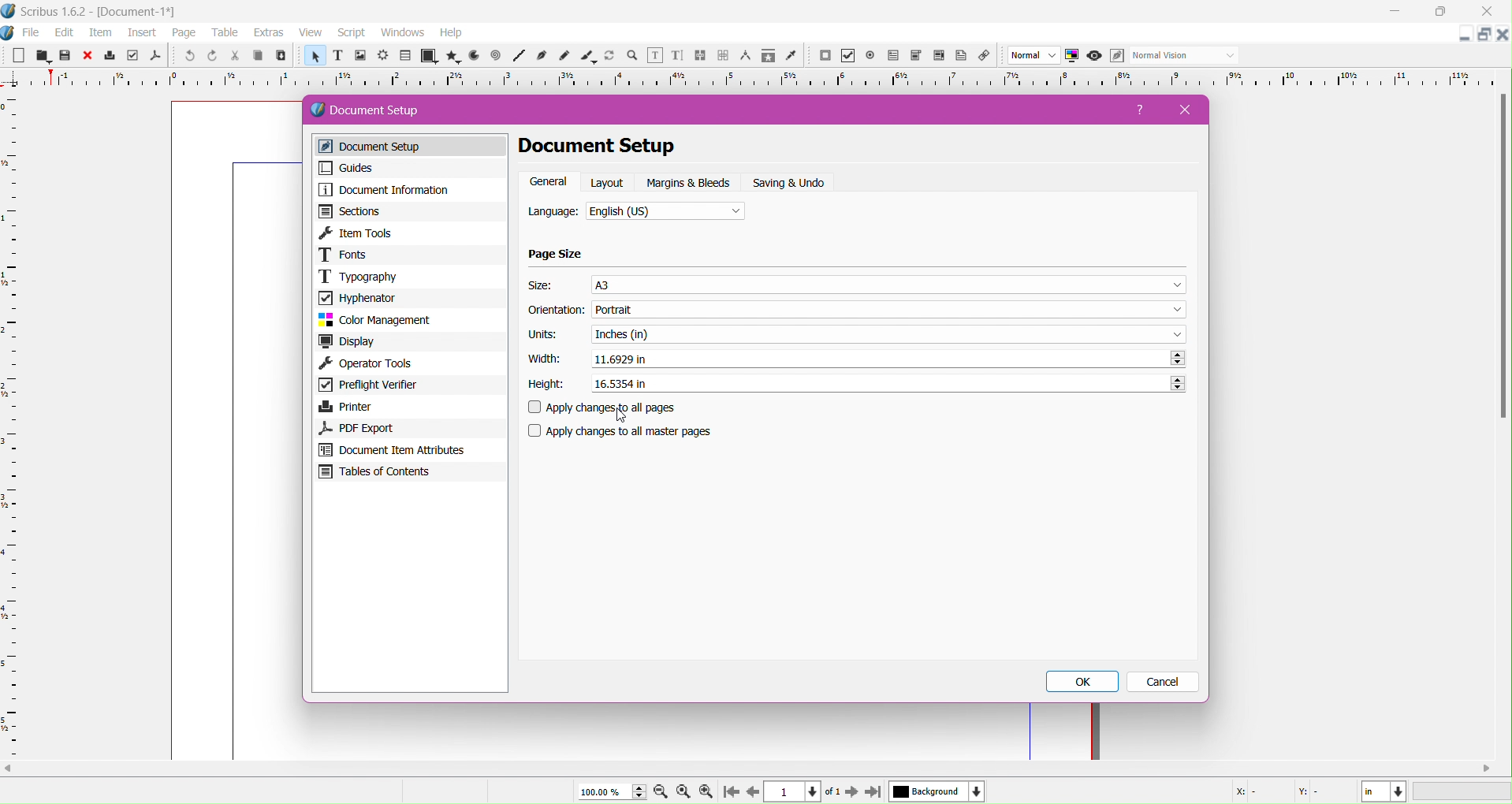  Describe the element at coordinates (557, 255) in the screenshot. I see `Page Size` at that location.